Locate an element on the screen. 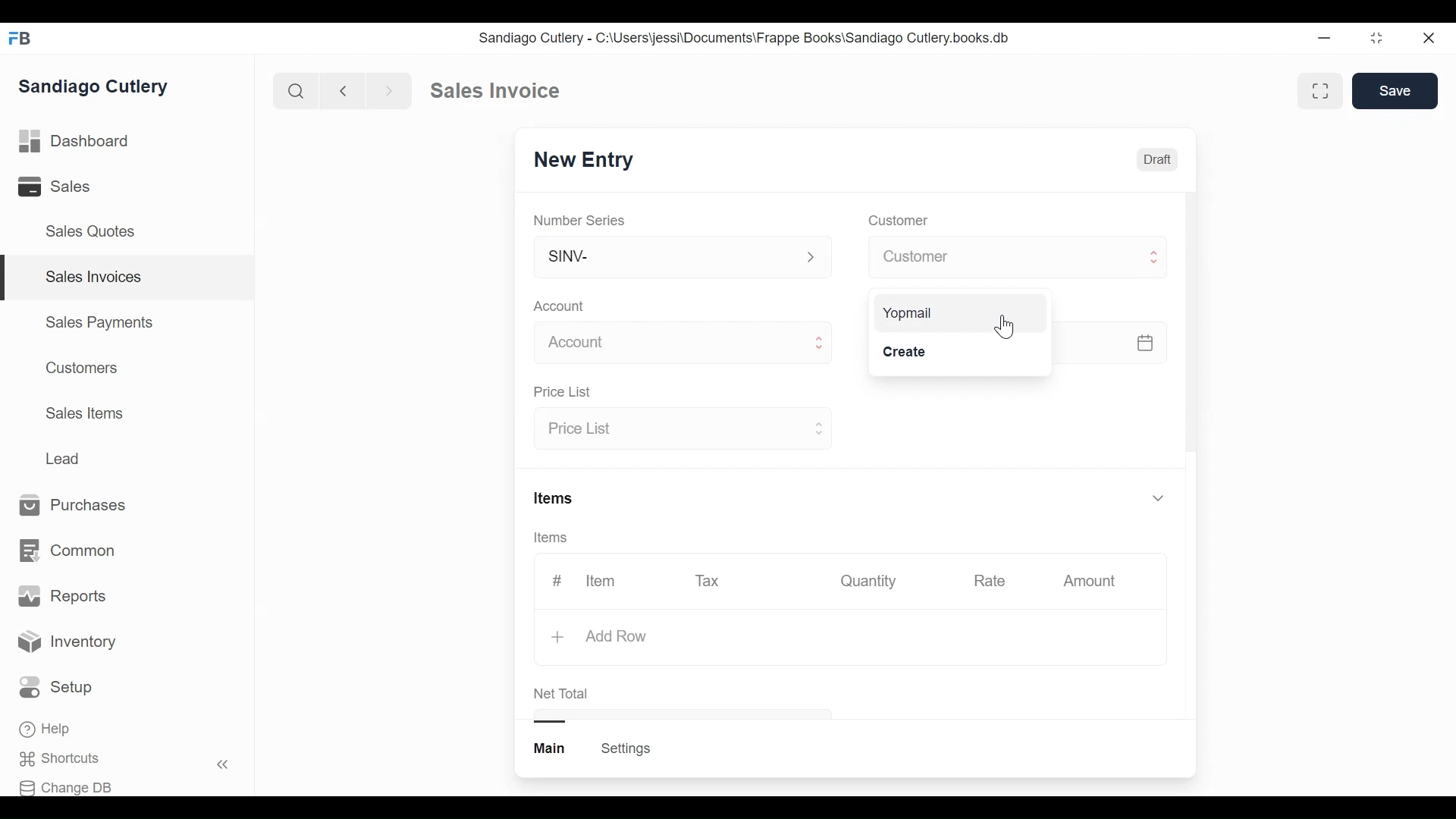 This screenshot has height=819, width=1456. Lead is located at coordinates (64, 457).